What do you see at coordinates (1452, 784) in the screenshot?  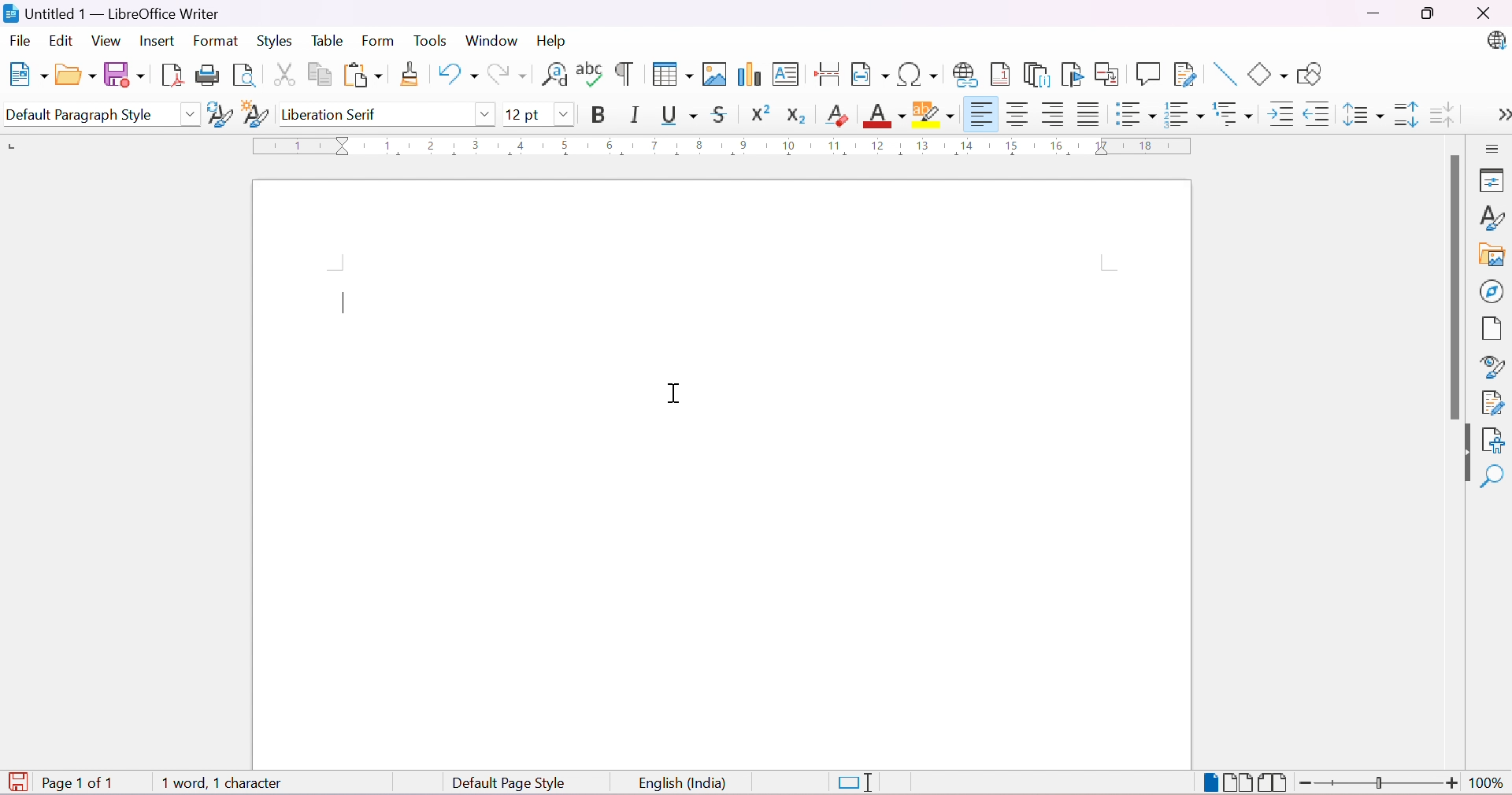 I see `Zoom In` at bounding box center [1452, 784].